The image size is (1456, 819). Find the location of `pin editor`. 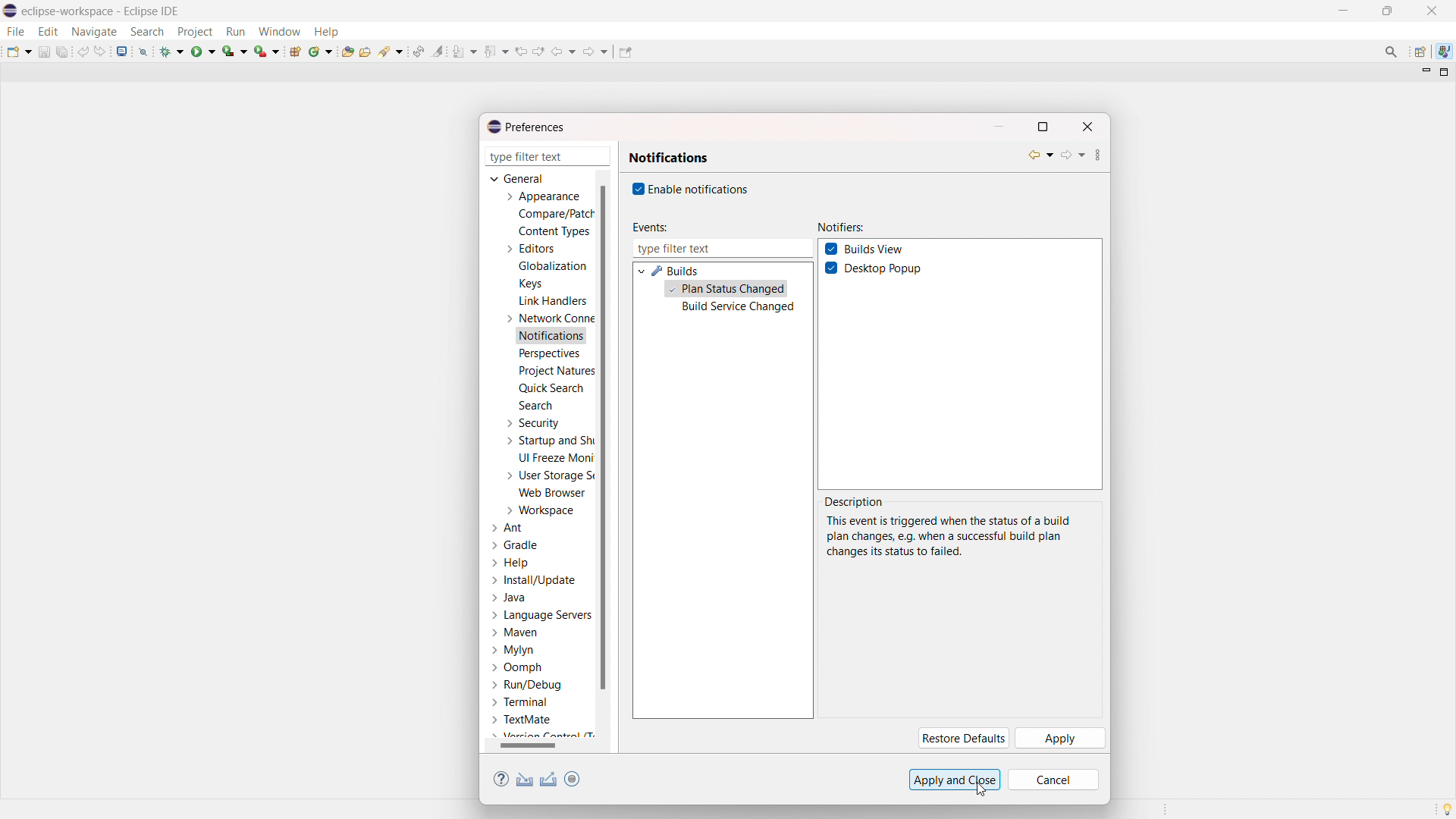

pin editor is located at coordinates (625, 52).